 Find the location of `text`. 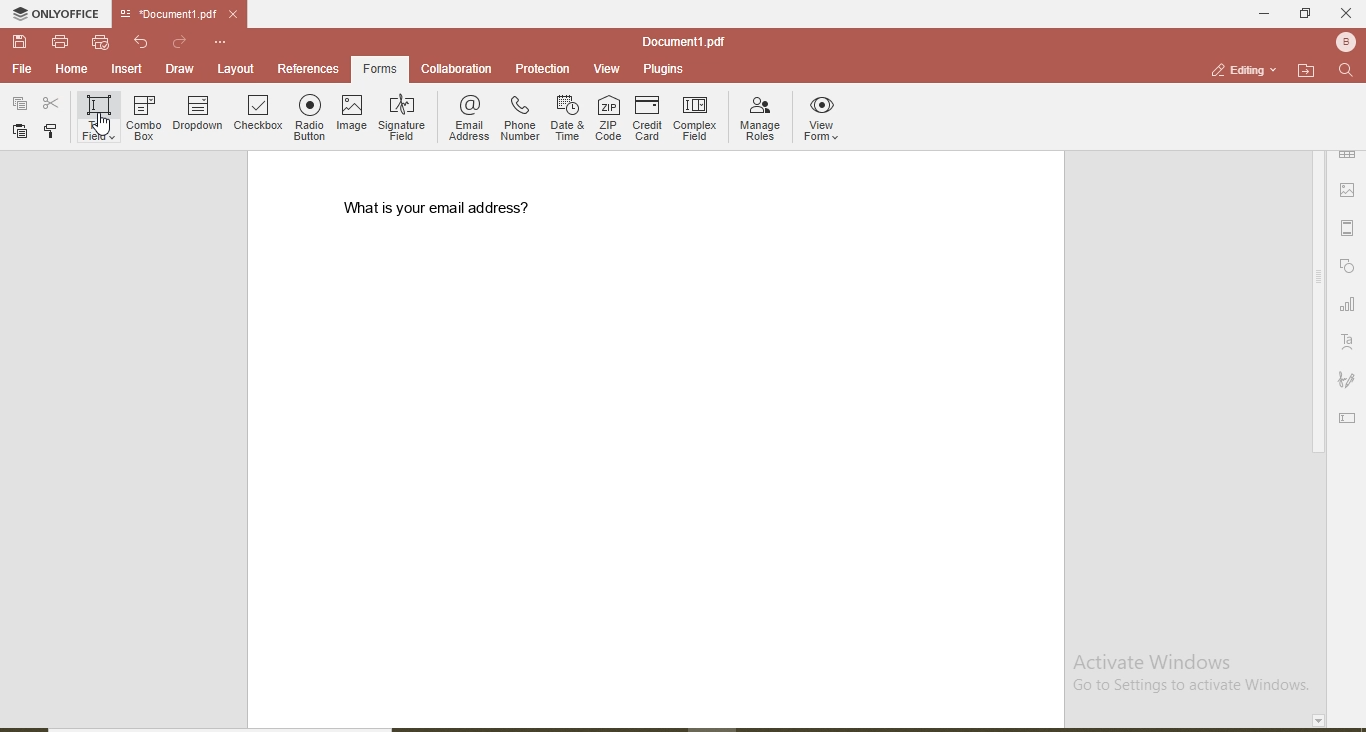

text is located at coordinates (1348, 342).